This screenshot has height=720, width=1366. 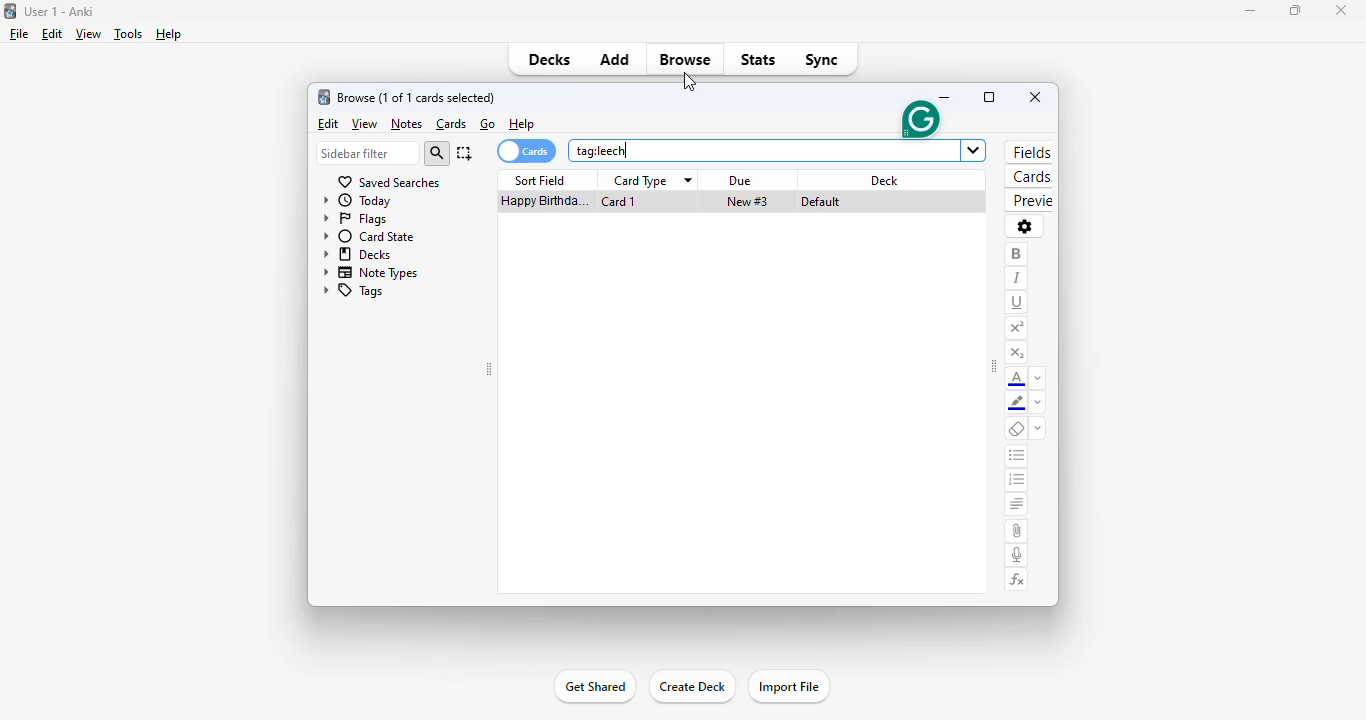 I want to click on toggle sidebar, so click(x=489, y=369).